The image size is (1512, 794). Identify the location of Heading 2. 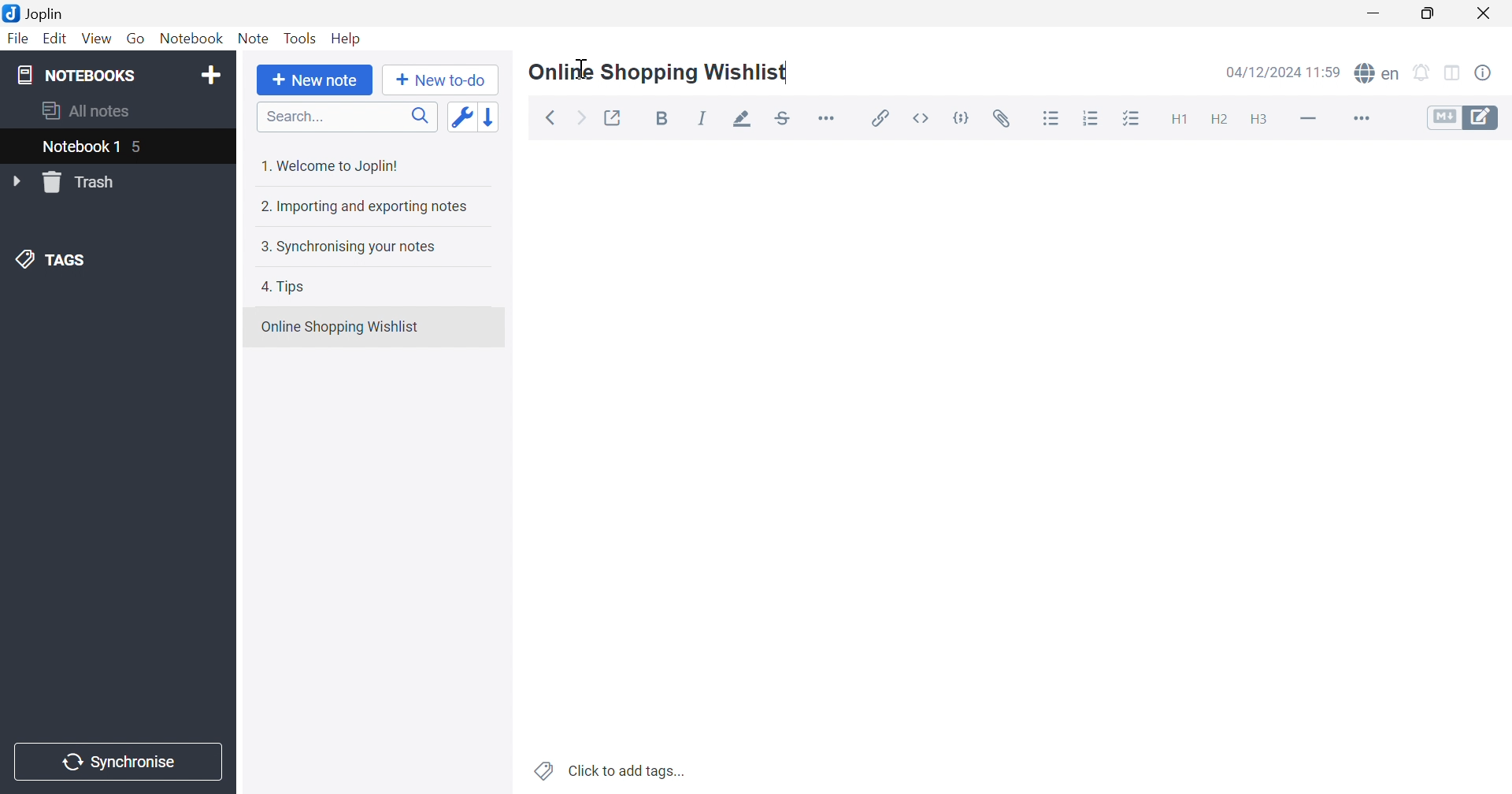
(1221, 121).